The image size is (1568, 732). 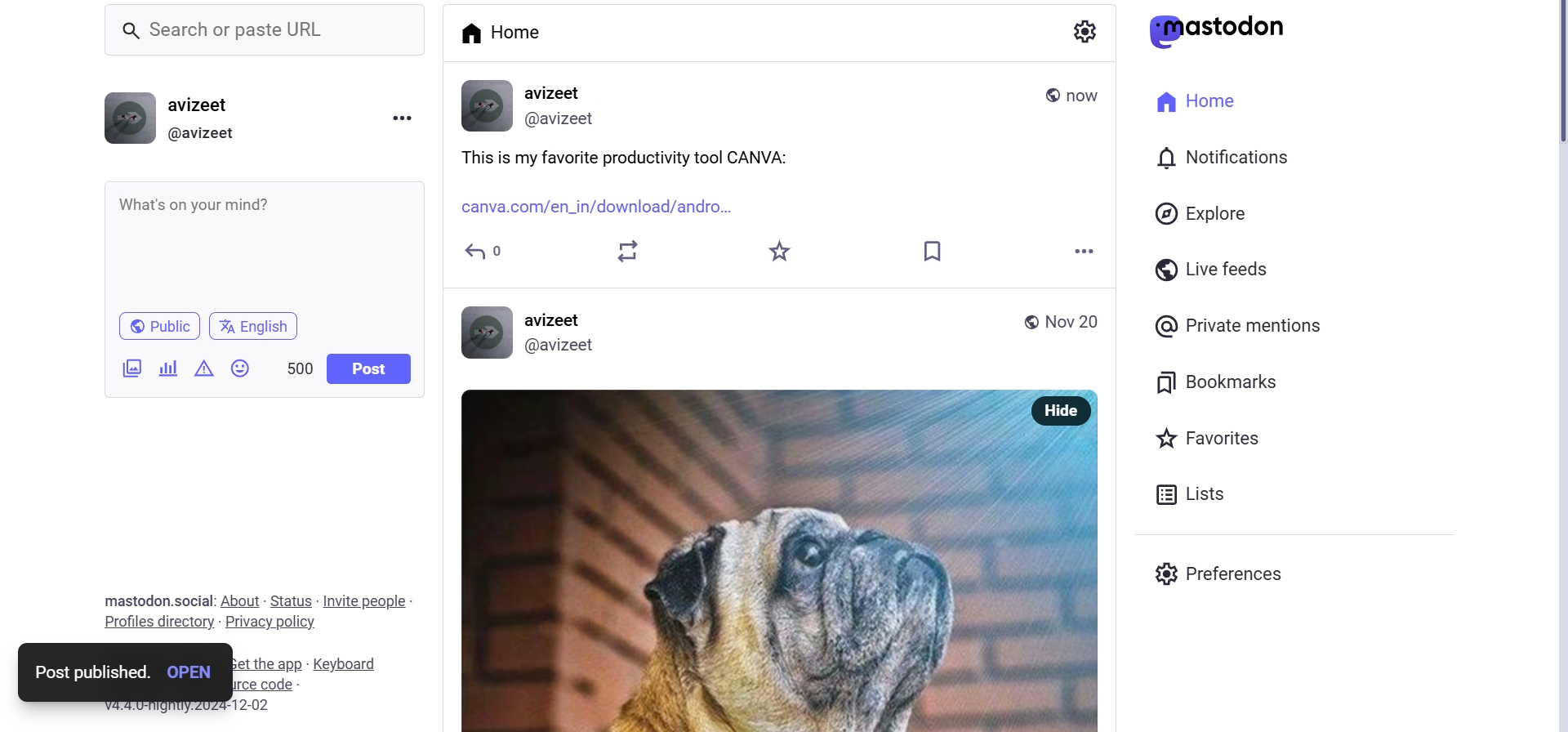 I want to click on @avizeet, so click(x=563, y=345).